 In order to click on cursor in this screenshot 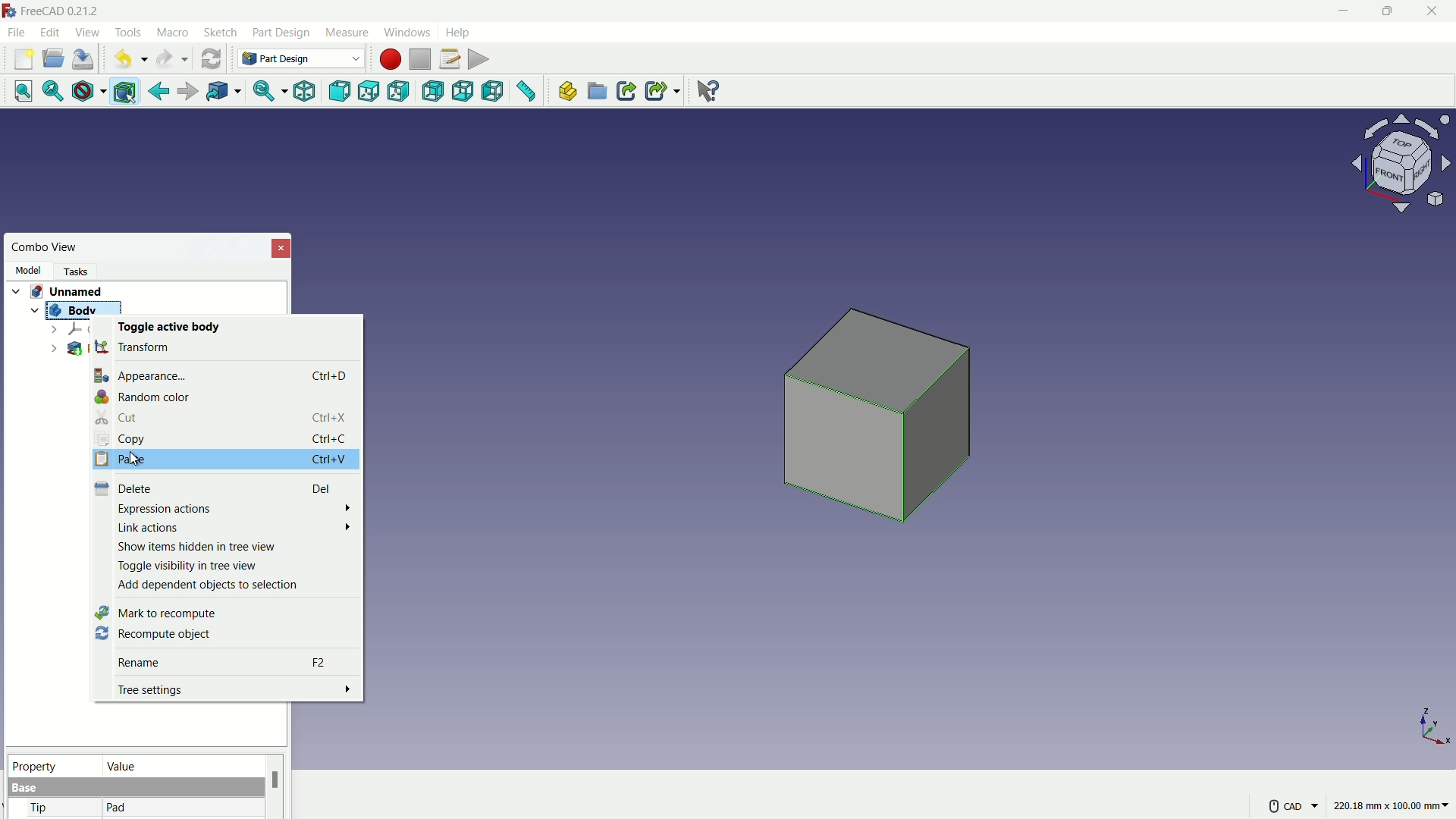, I will do `click(132, 459)`.